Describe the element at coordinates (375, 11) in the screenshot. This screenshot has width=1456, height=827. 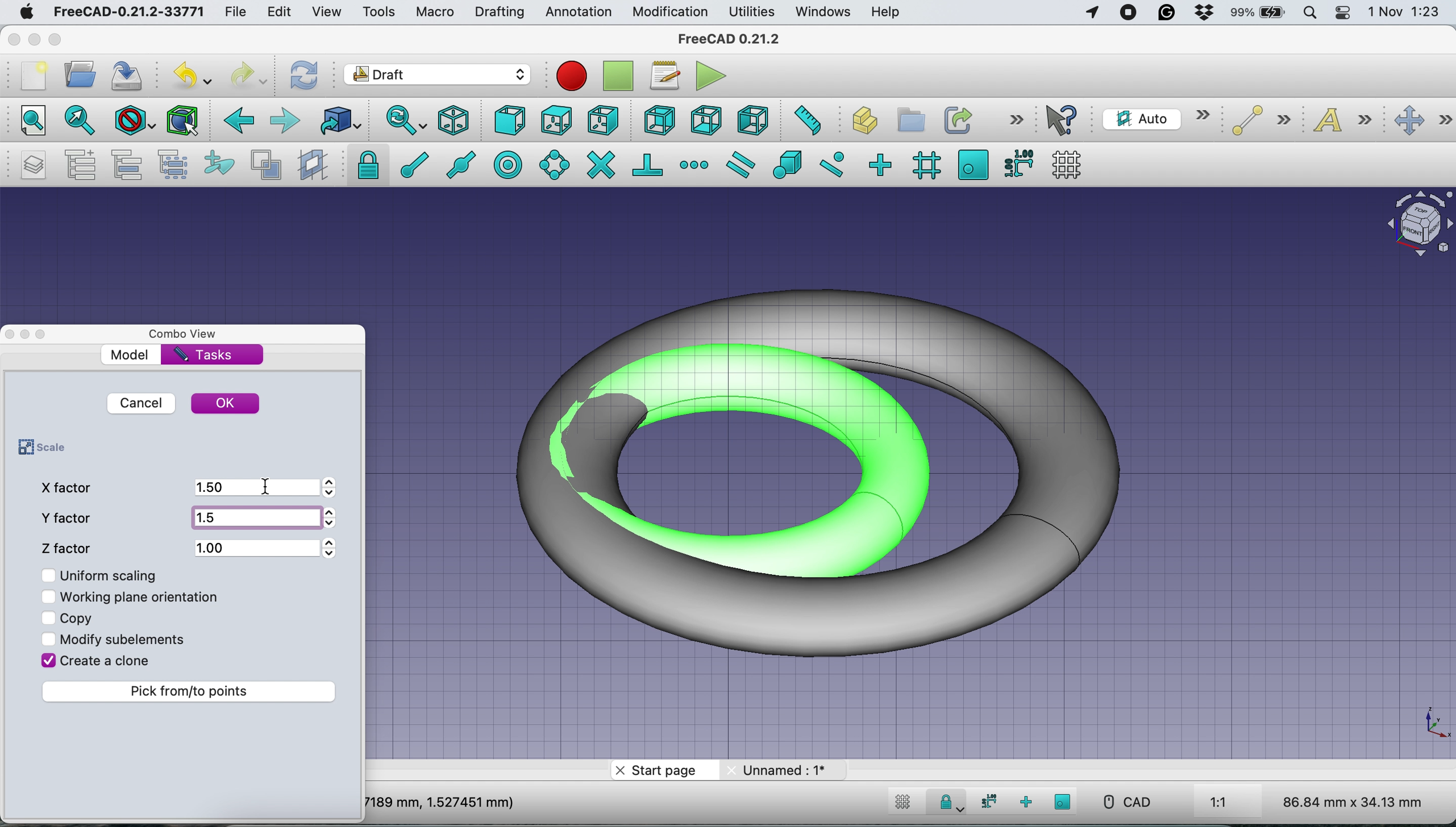
I see `tools` at that location.